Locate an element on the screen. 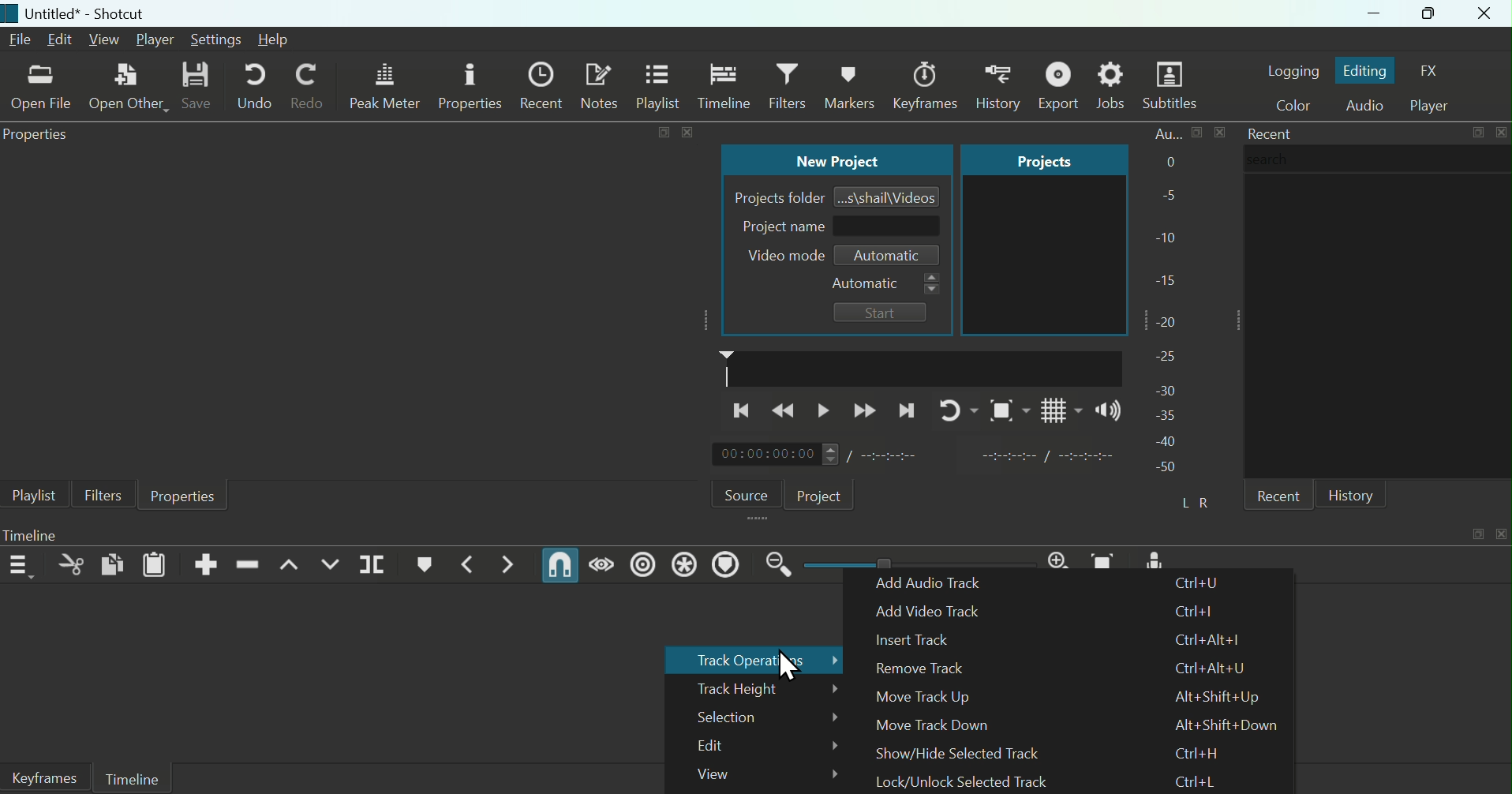 The height and width of the screenshot is (794, 1512). Track Operators is located at coordinates (749, 659).